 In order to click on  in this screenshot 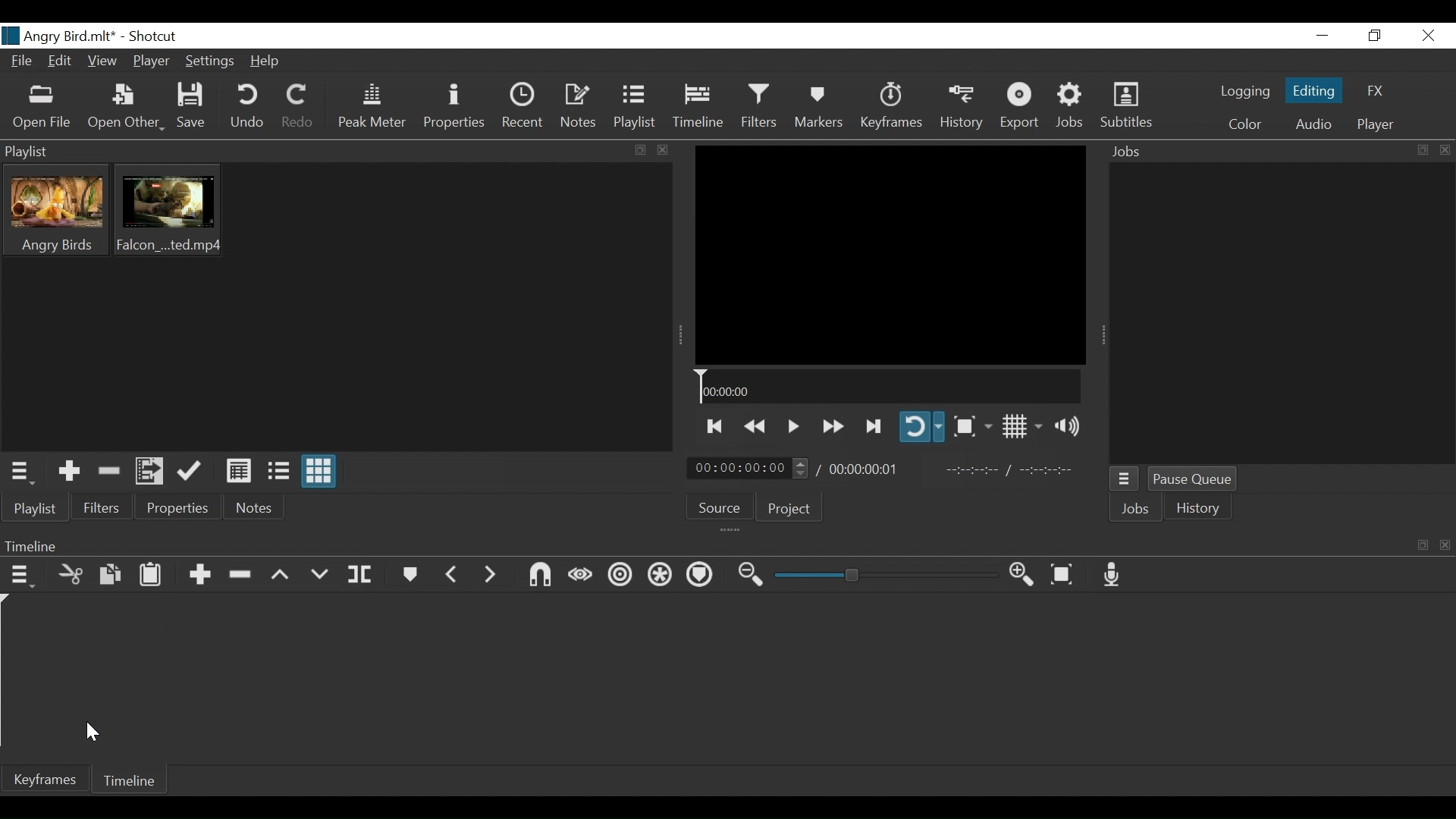, I will do `click(1373, 125)`.